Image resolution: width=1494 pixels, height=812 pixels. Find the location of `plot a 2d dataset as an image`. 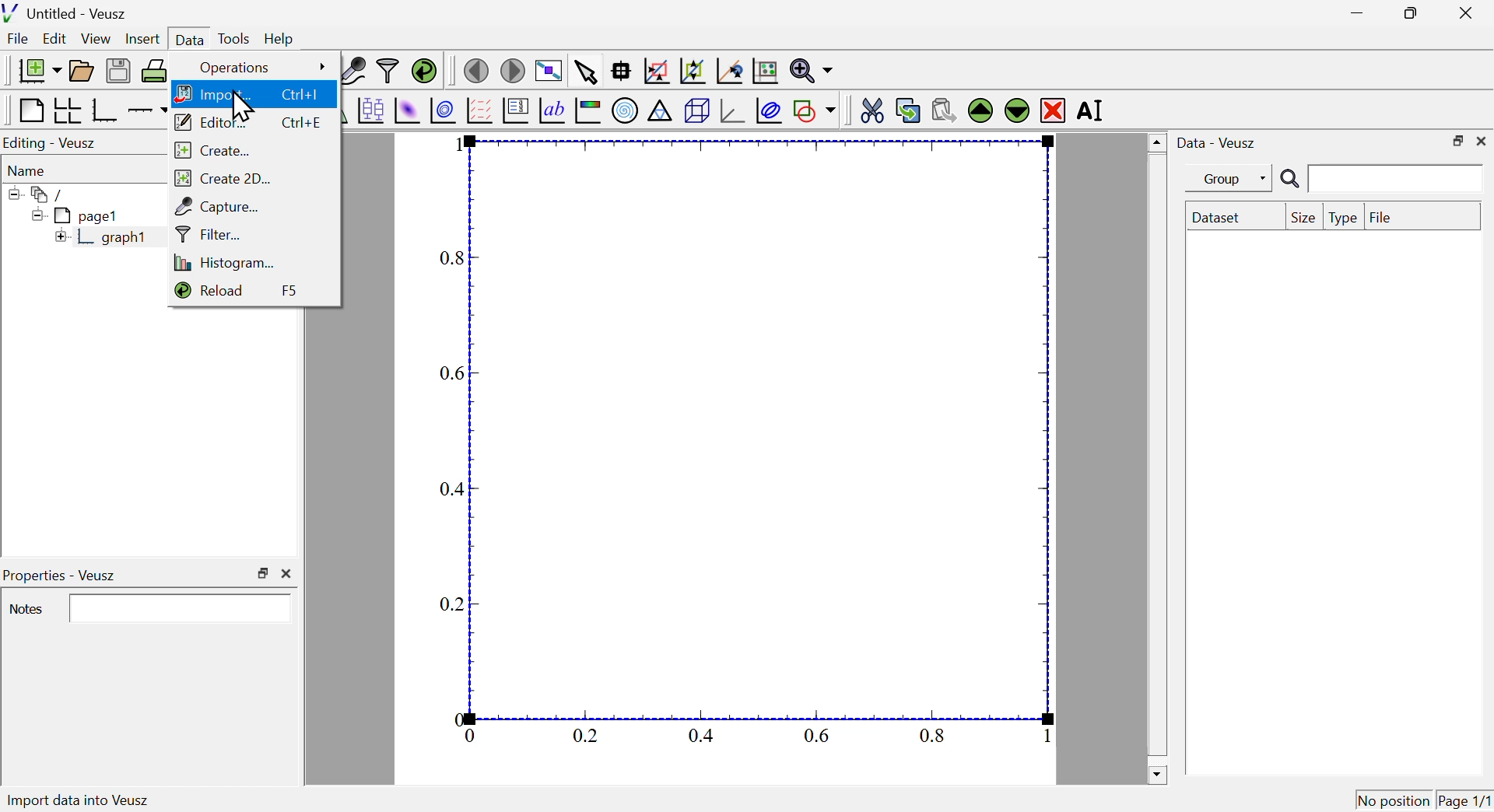

plot a 2d dataset as an image is located at coordinates (408, 110).